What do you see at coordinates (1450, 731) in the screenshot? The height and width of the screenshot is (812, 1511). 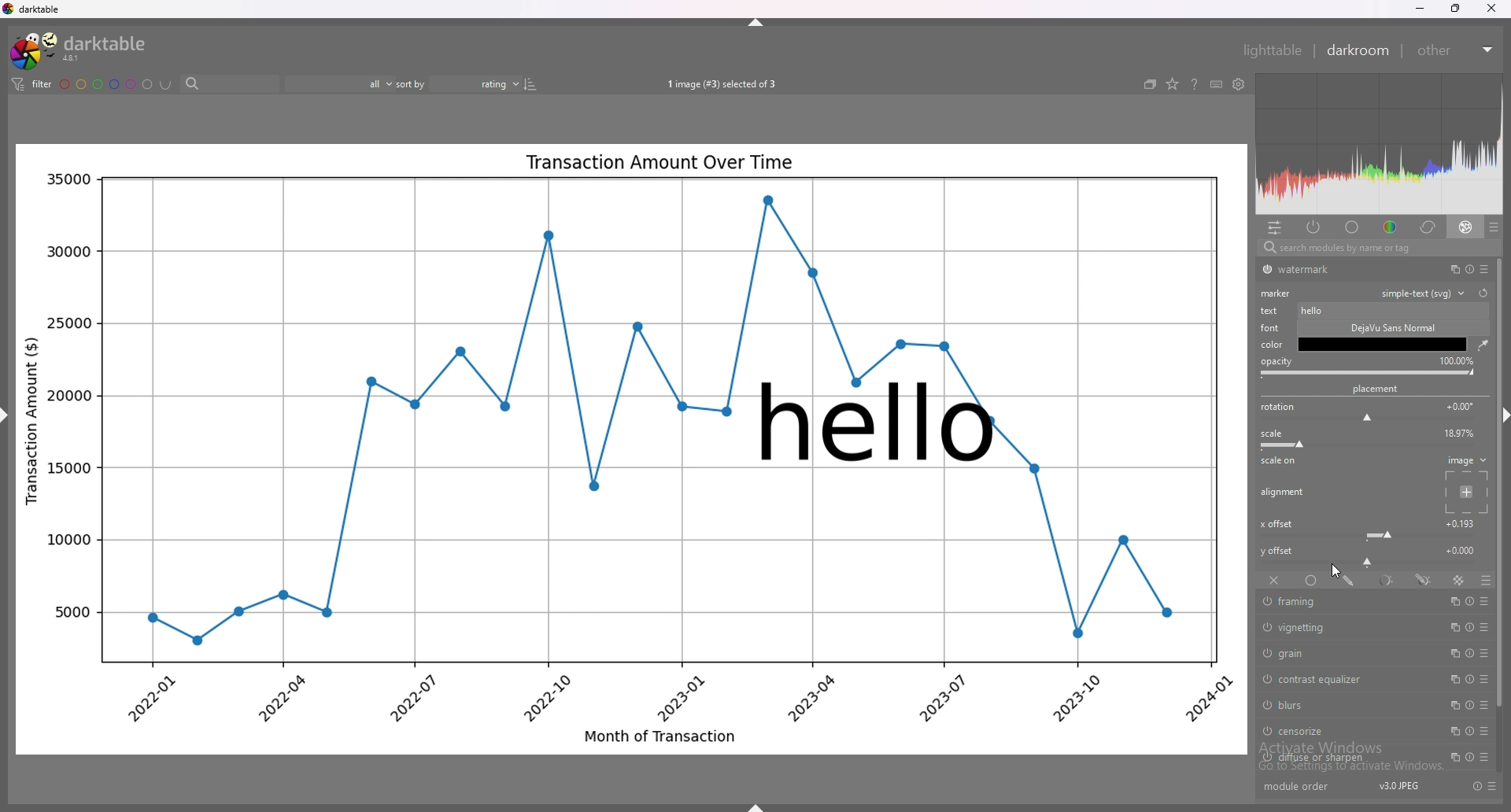 I see `multiple instances action` at bounding box center [1450, 731].